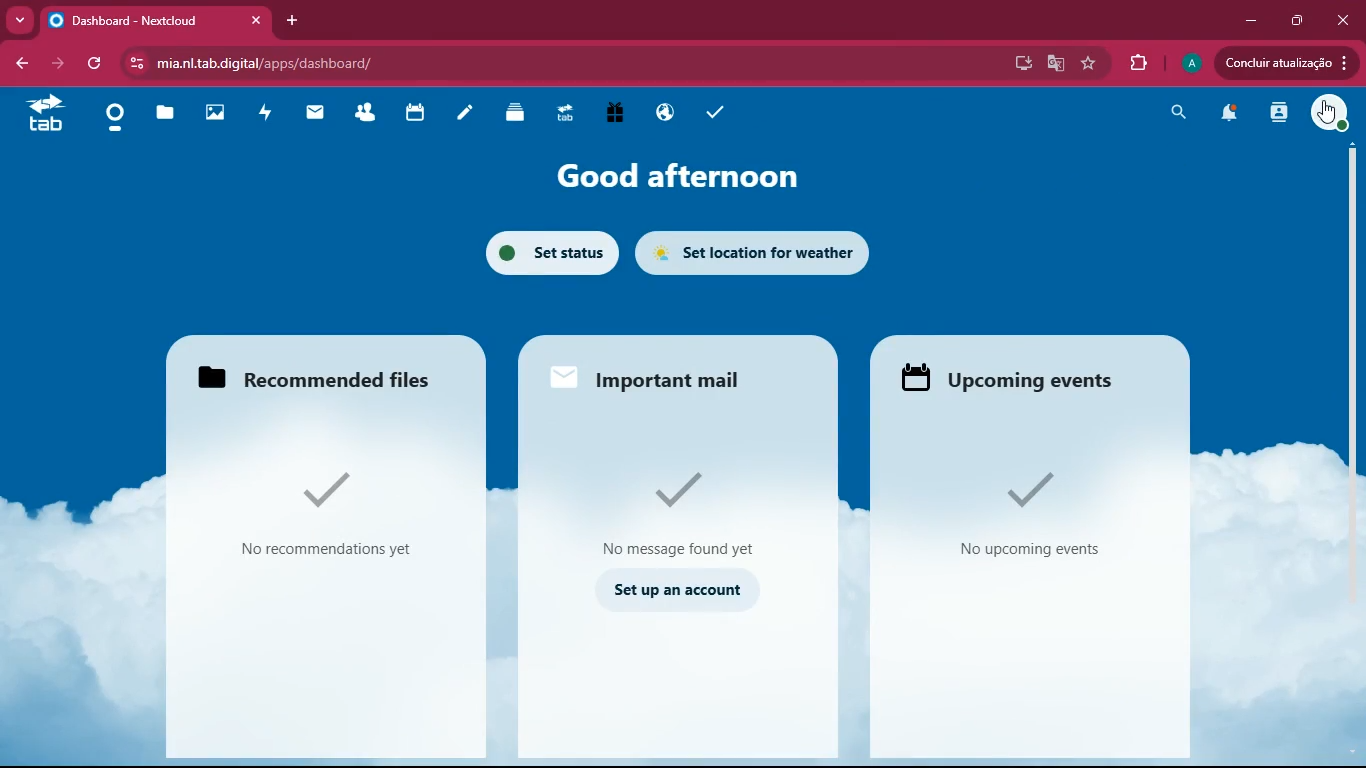 This screenshot has height=768, width=1366. I want to click on No message found yet, so click(674, 513).